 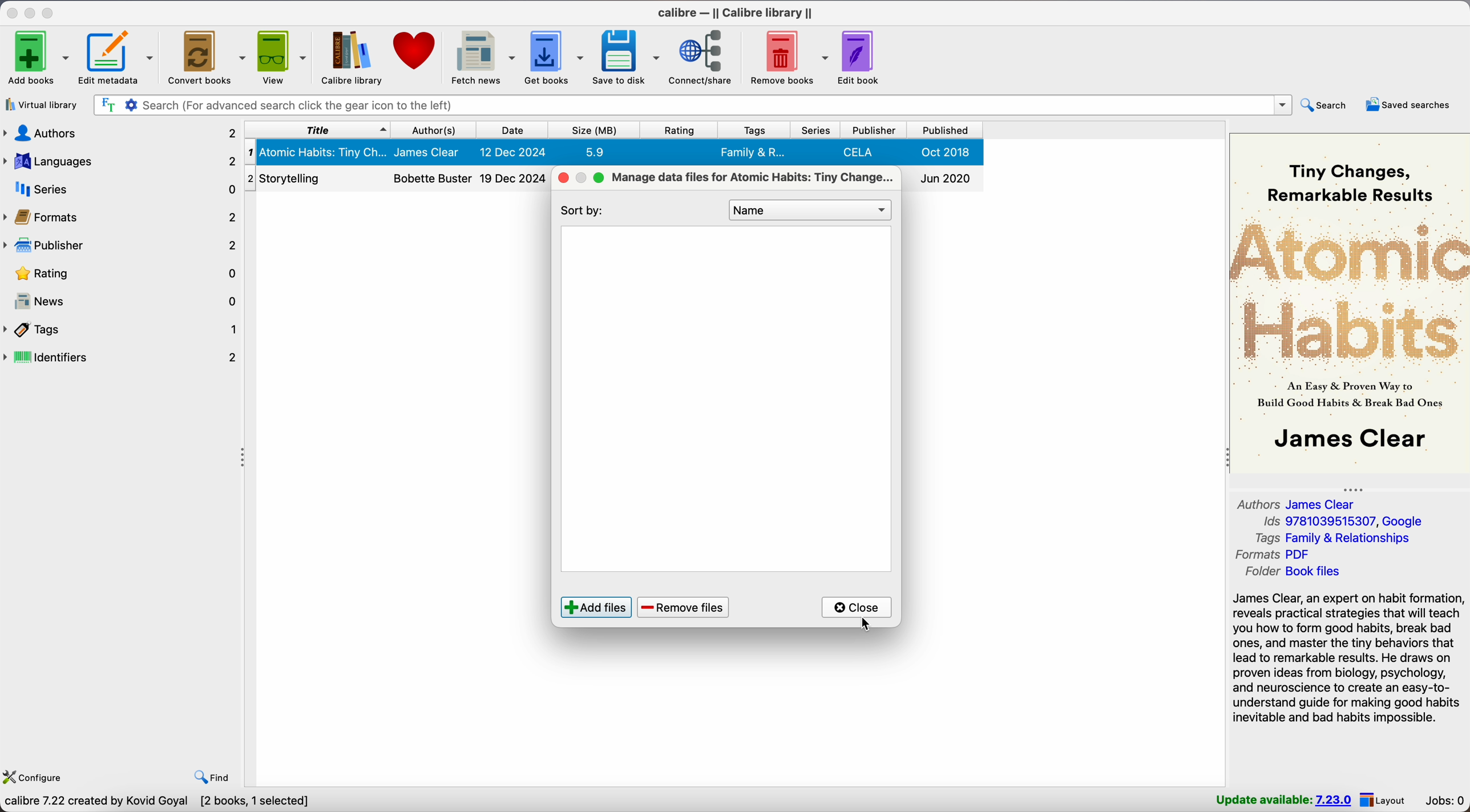 What do you see at coordinates (736, 14) in the screenshot?
I see `Calibre - || Calibre library ||` at bounding box center [736, 14].